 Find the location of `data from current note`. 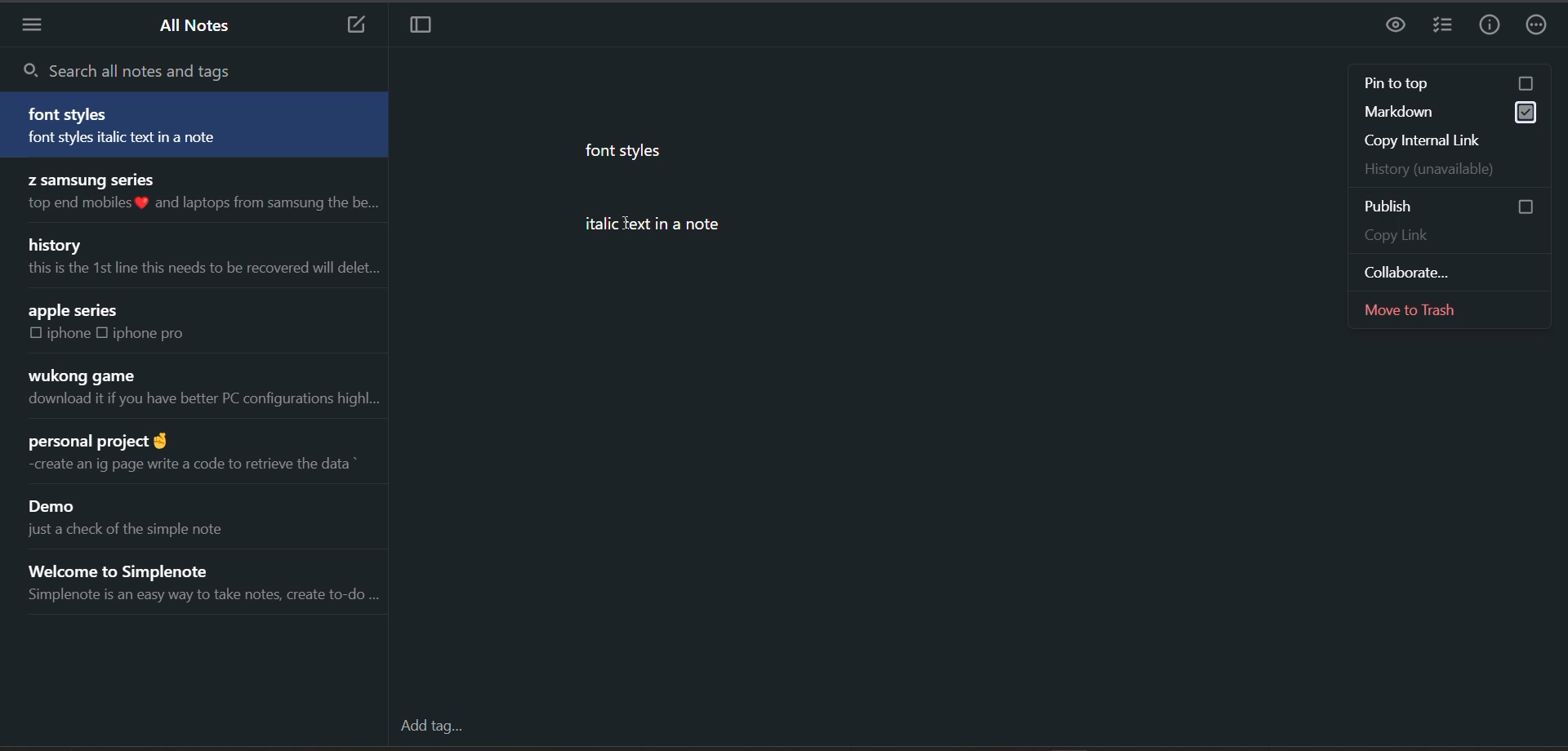

data from current note is located at coordinates (719, 202).